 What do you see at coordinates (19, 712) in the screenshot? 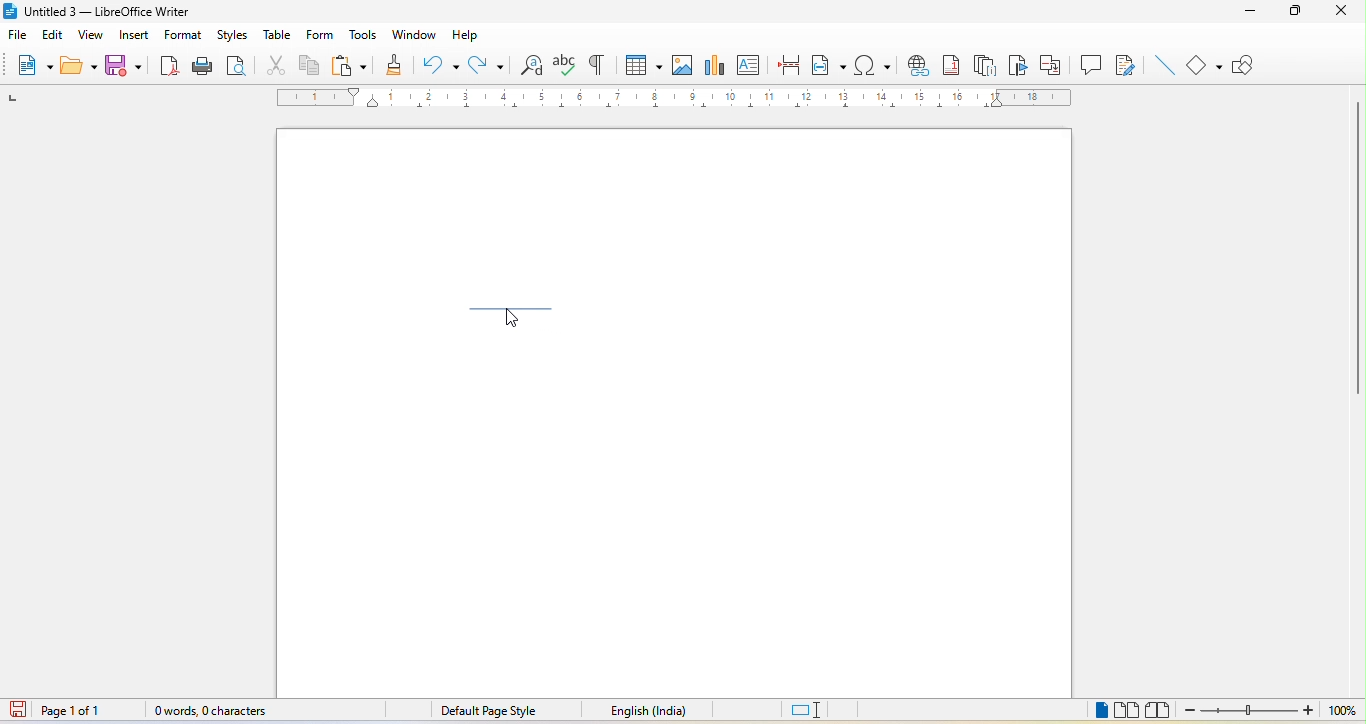
I see `click to save the document` at bounding box center [19, 712].